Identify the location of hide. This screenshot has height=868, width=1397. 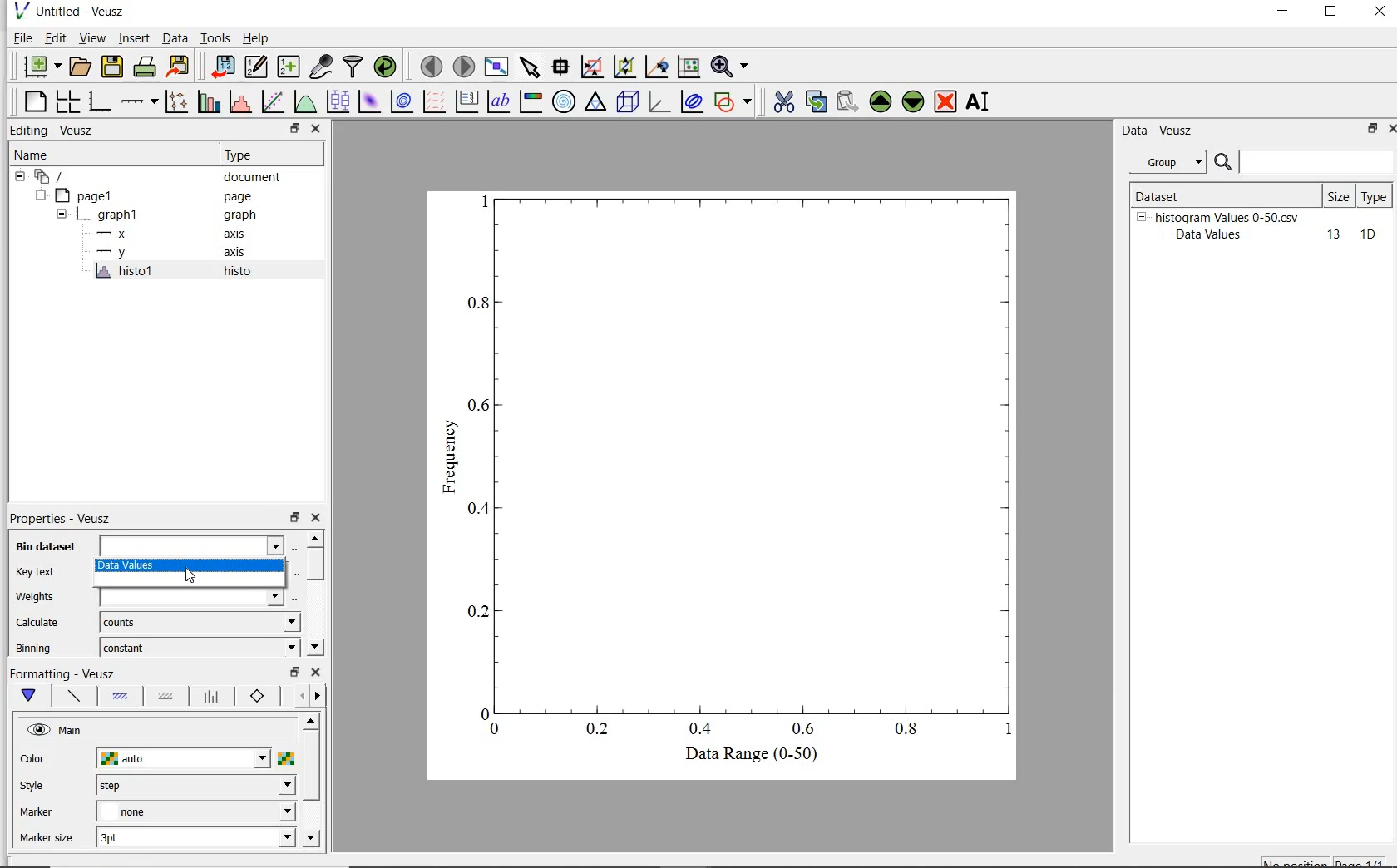
(1141, 216).